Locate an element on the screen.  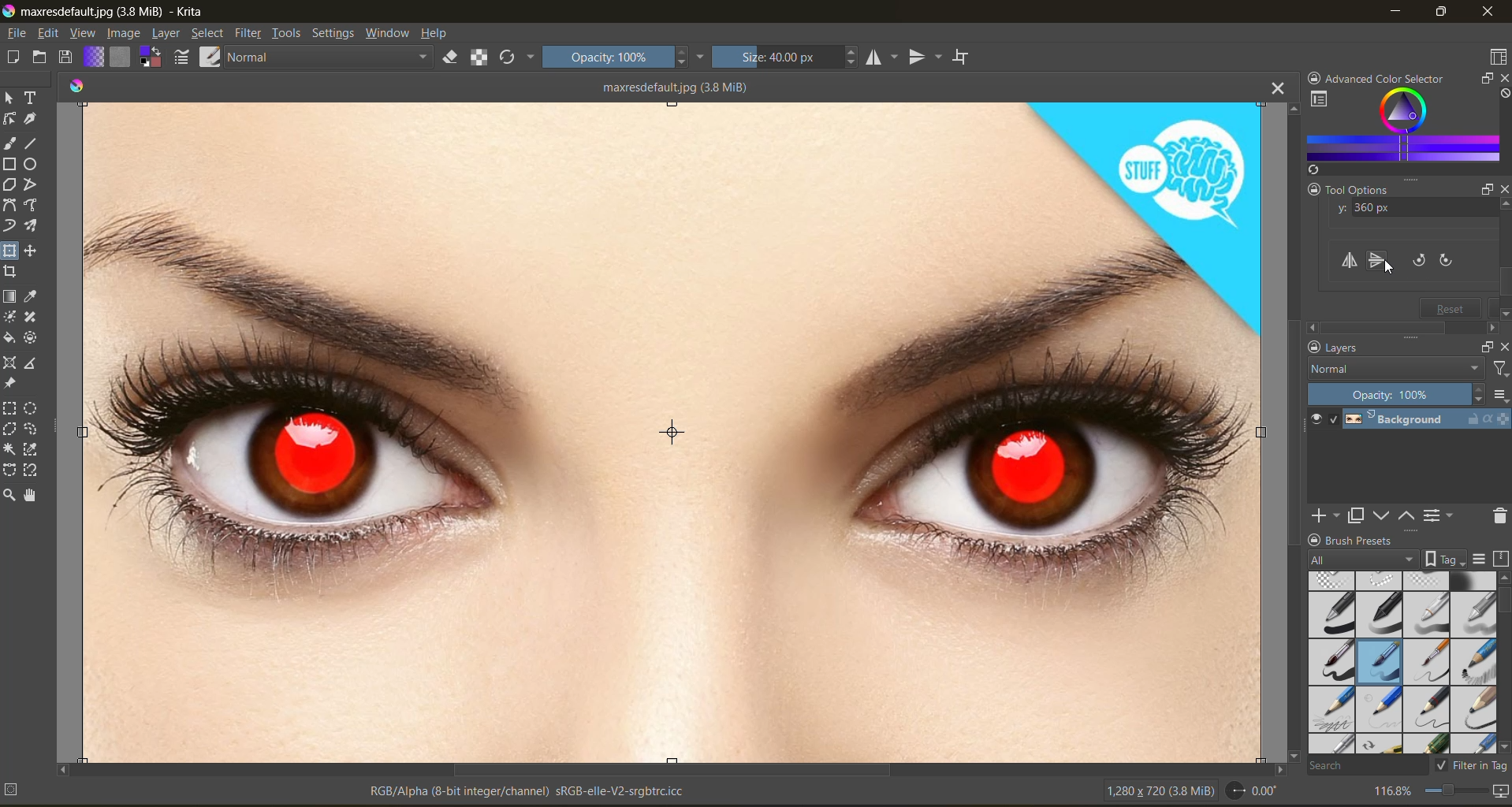
cursor is located at coordinates (1386, 270).